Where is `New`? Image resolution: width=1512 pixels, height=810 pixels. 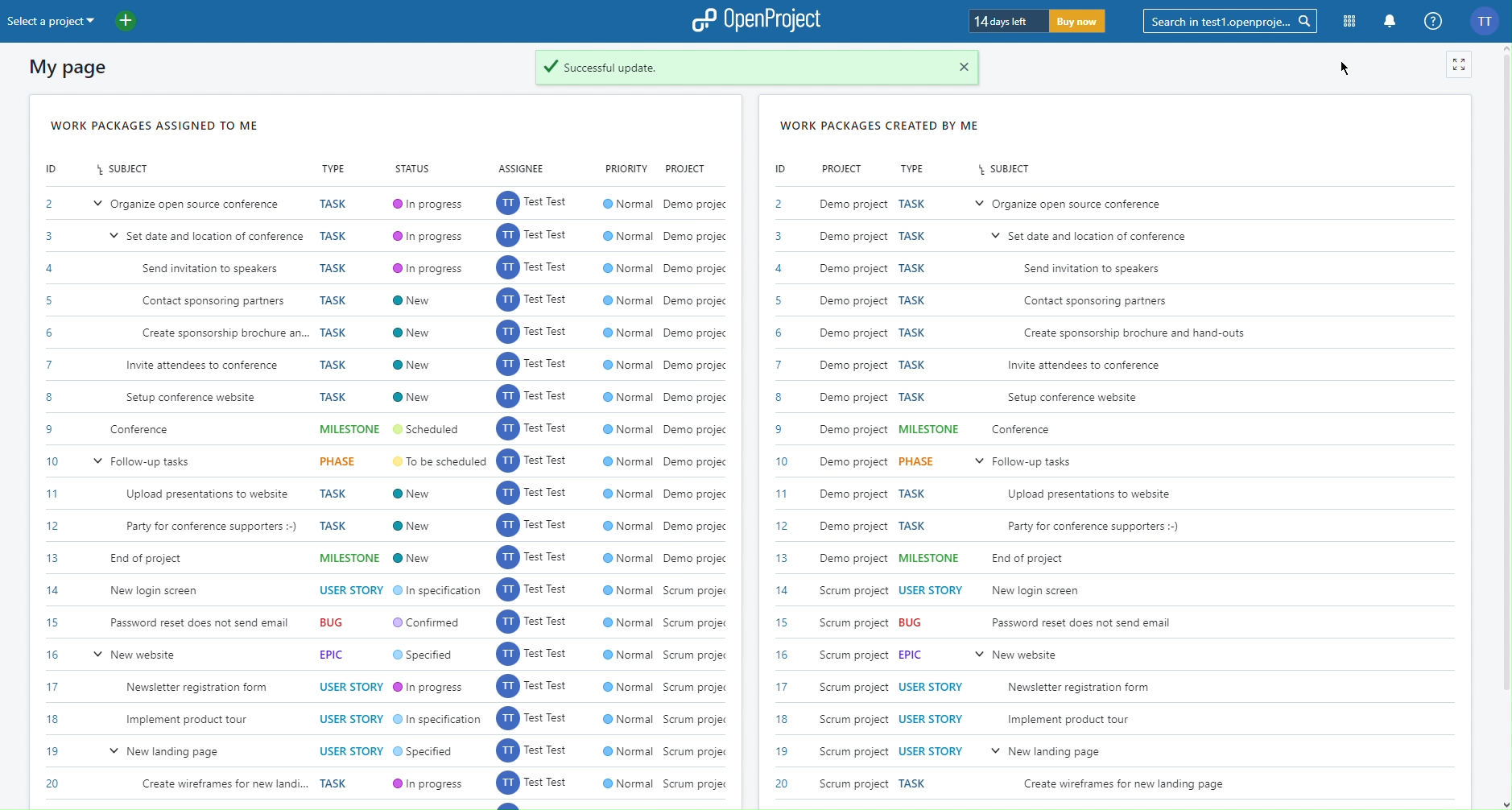 New is located at coordinates (415, 347).